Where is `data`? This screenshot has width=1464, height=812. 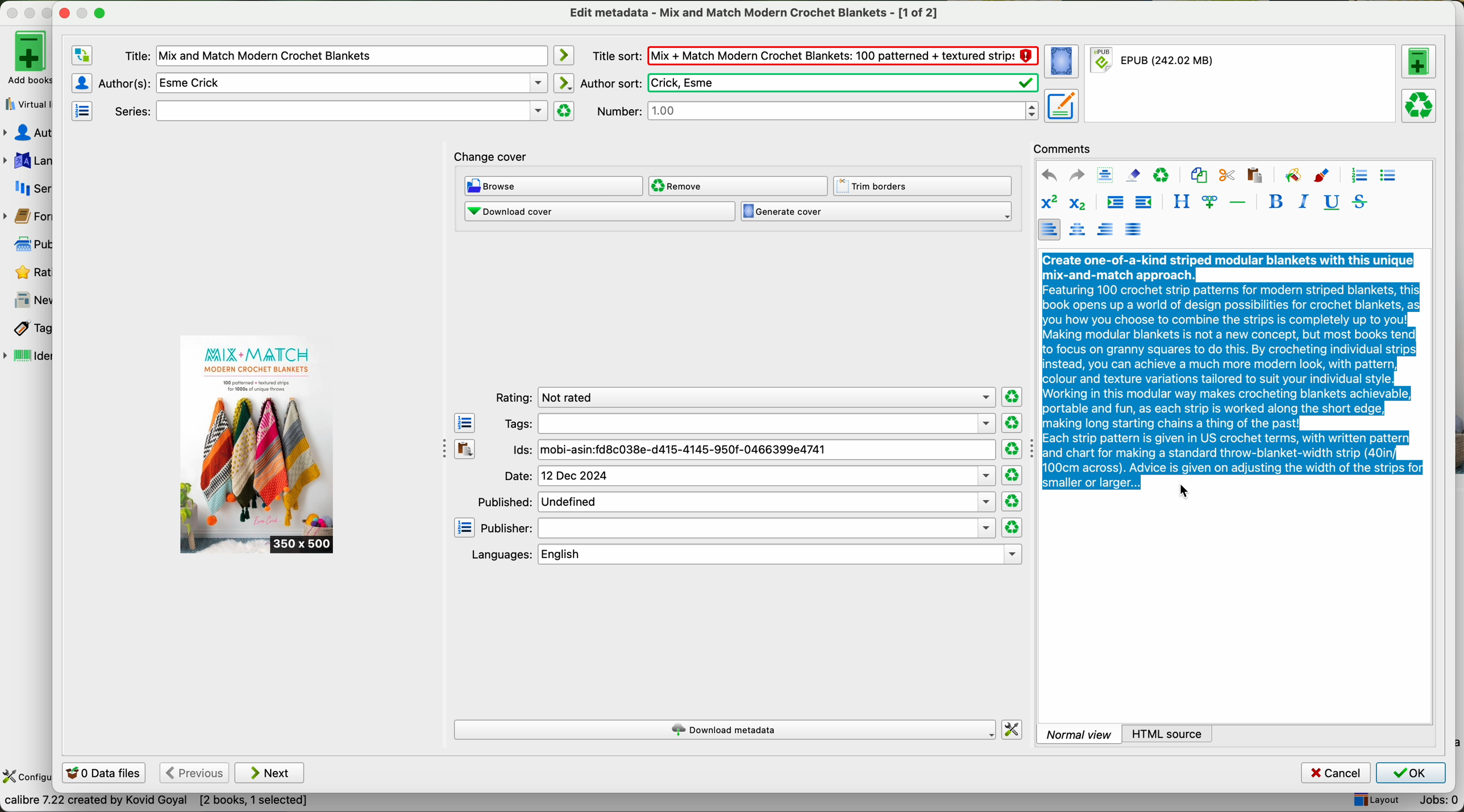
data is located at coordinates (156, 803).